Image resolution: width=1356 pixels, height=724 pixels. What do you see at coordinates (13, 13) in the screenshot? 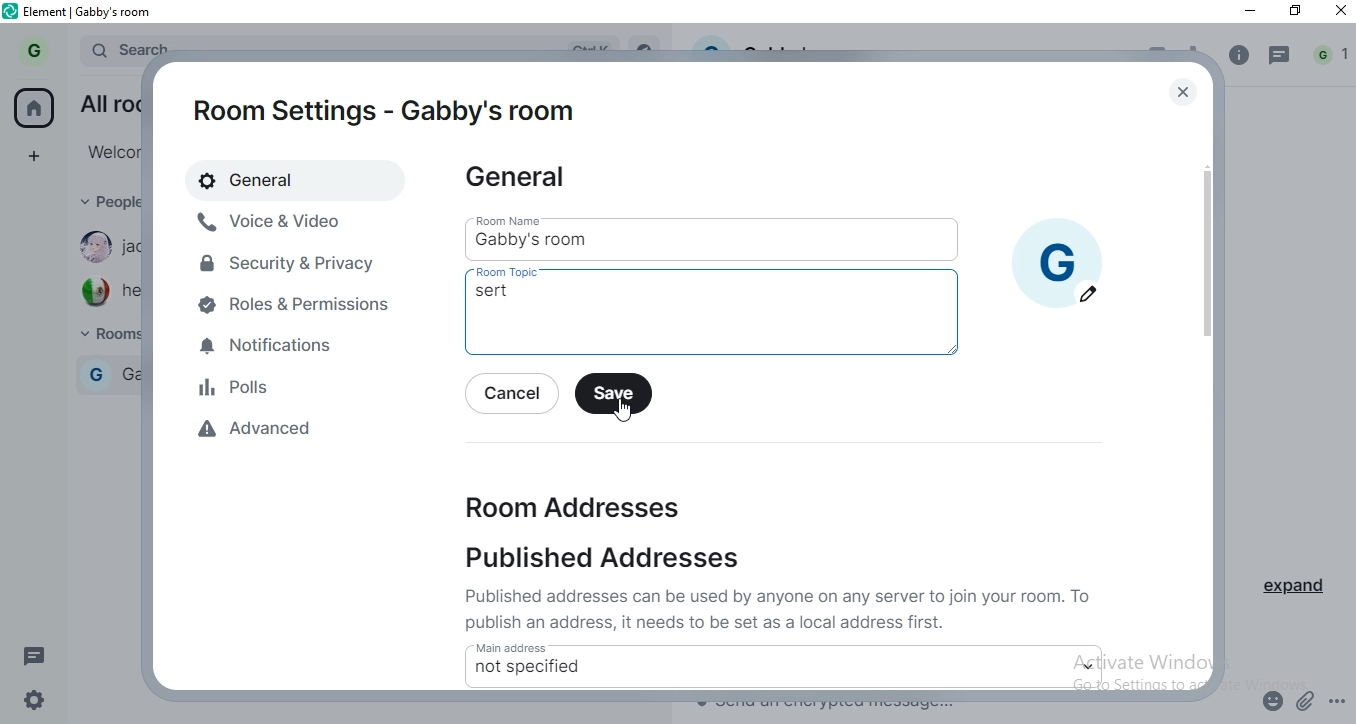
I see `element logo` at bounding box center [13, 13].